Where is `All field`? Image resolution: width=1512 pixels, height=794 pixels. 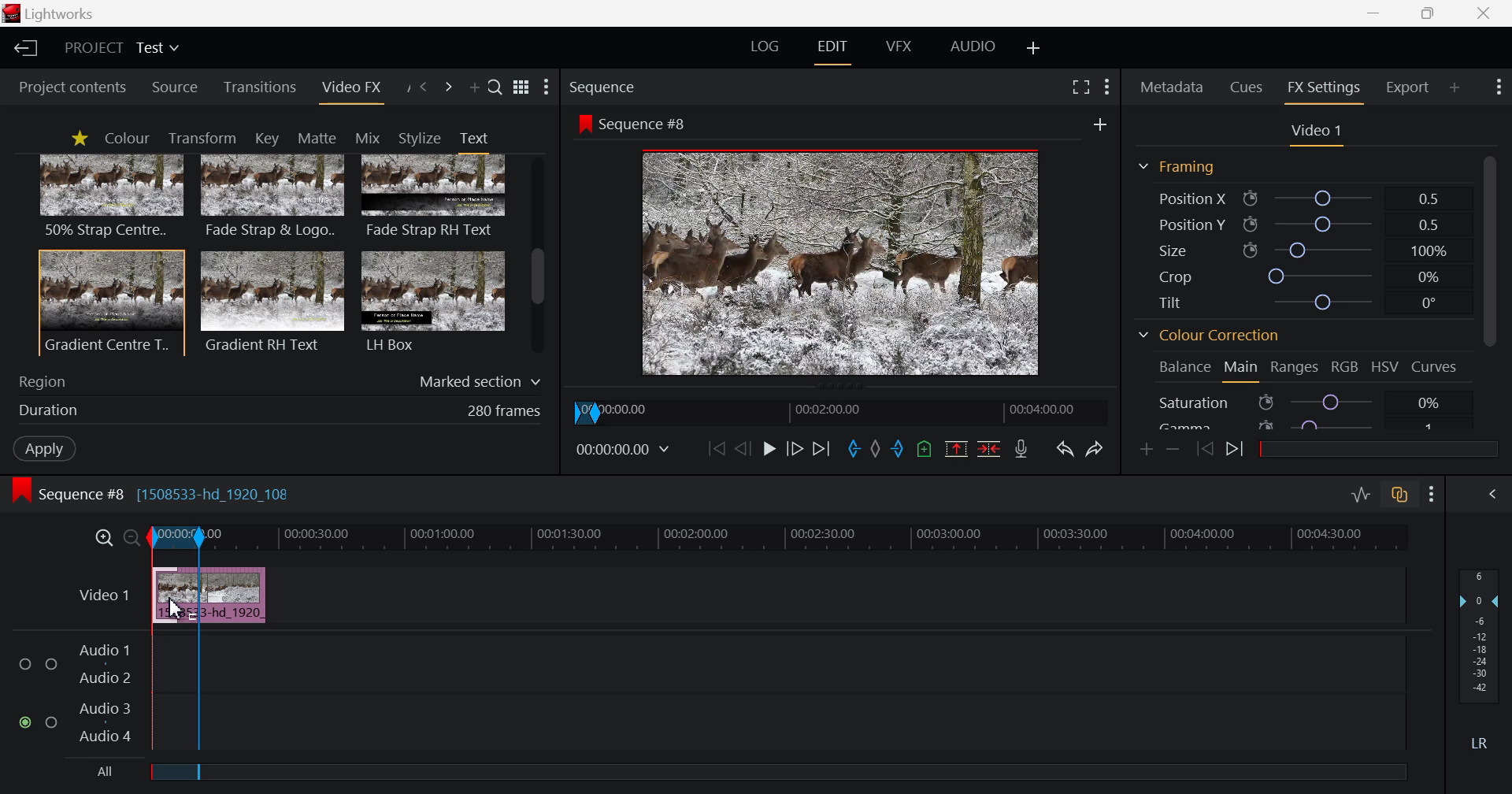 All field is located at coordinates (787, 771).